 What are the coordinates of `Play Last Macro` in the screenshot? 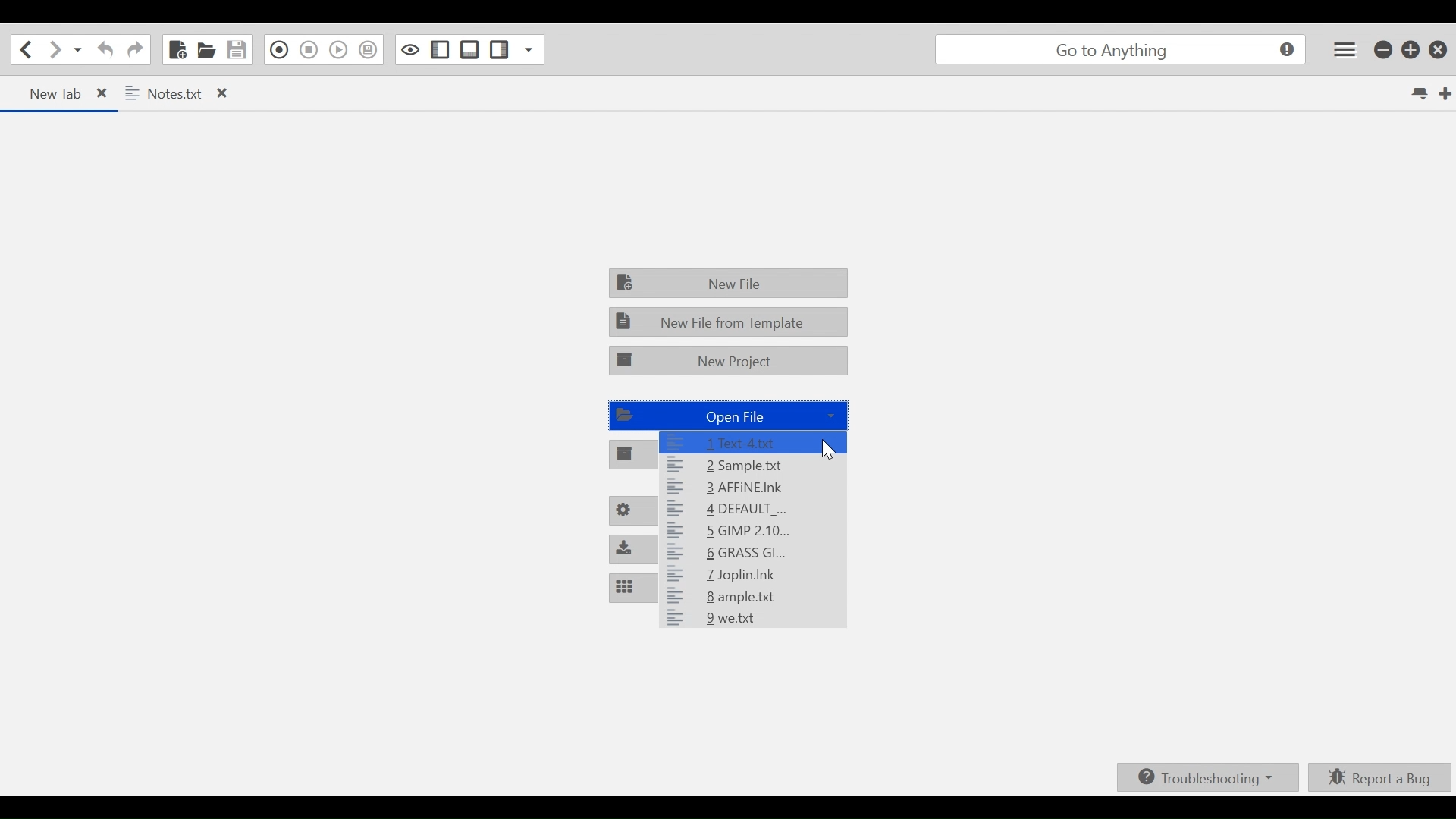 It's located at (340, 50).